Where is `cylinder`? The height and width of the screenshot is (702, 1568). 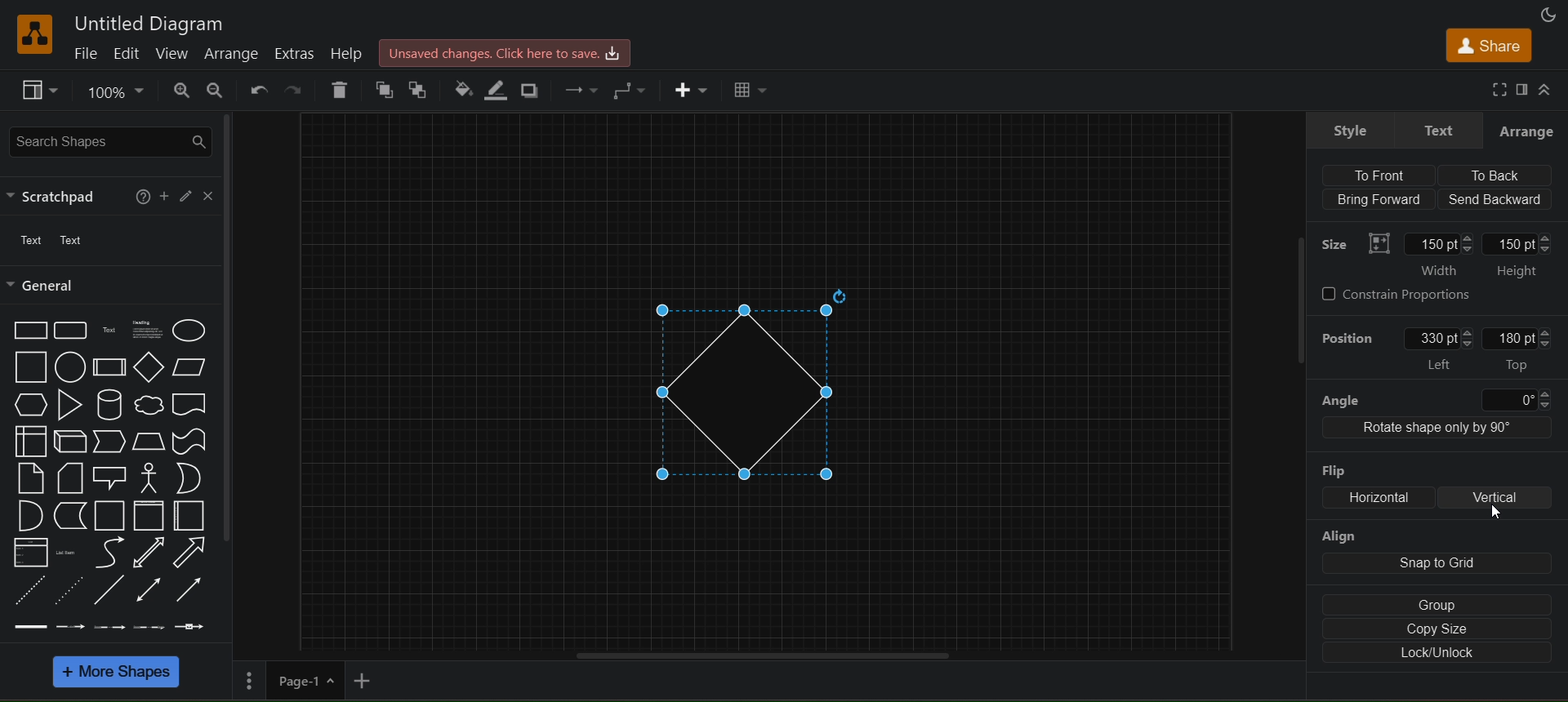 cylinder is located at coordinates (111, 405).